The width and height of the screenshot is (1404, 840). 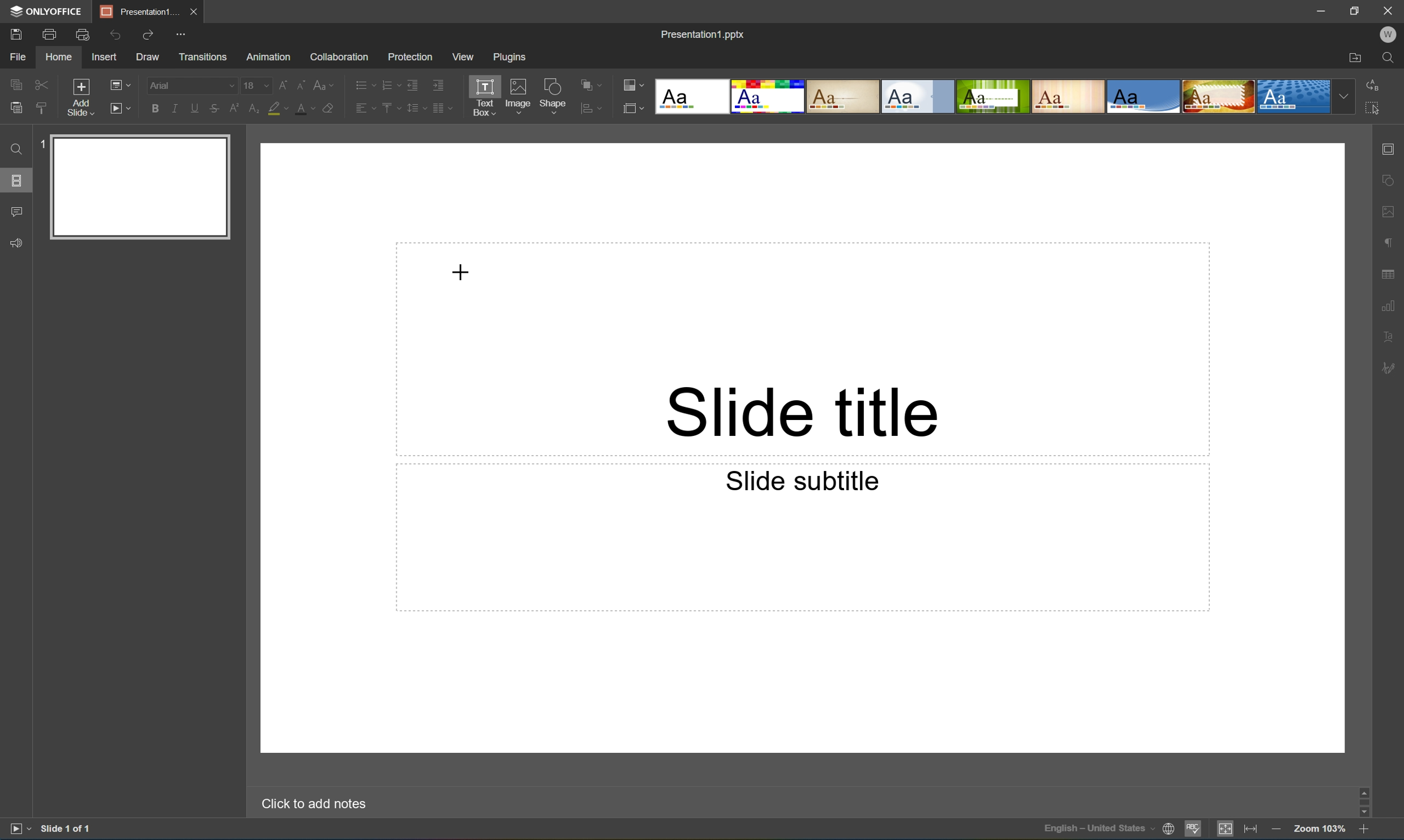 I want to click on Click to add notes, so click(x=311, y=802).